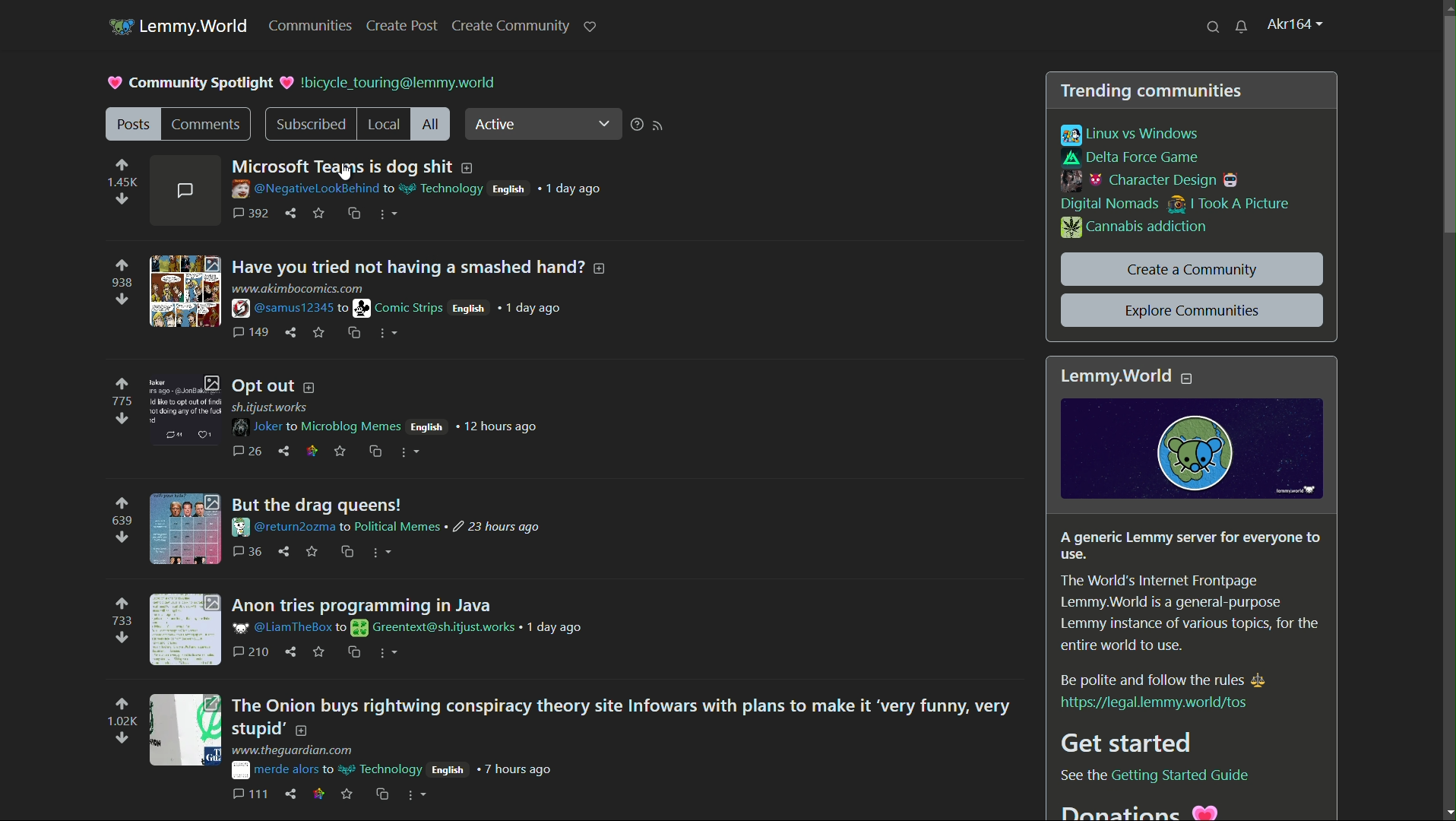 This screenshot has width=1456, height=821. What do you see at coordinates (121, 537) in the screenshot?
I see `downvote` at bounding box center [121, 537].